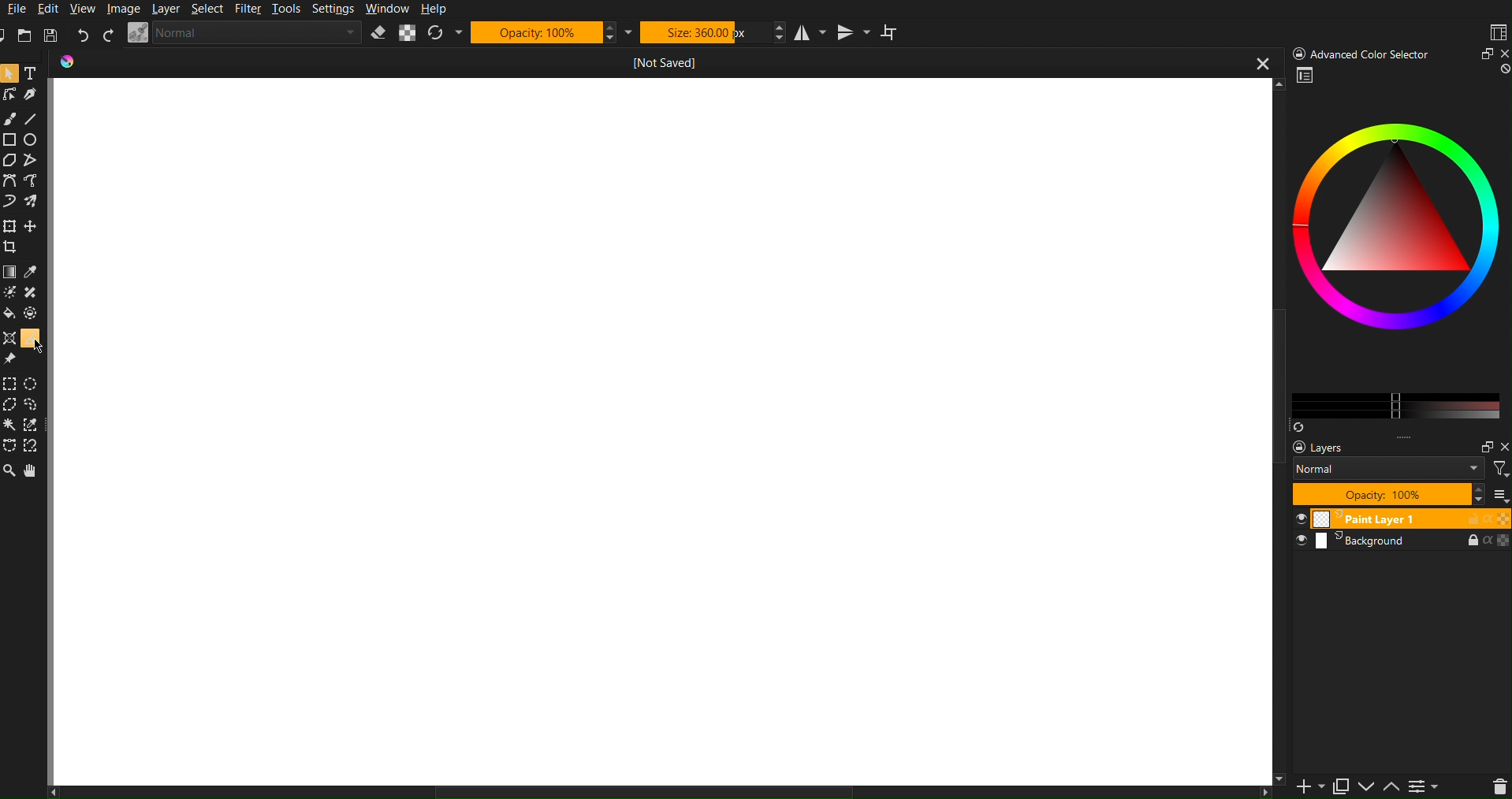 The image size is (1512, 799). Describe the element at coordinates (35, 384) in the screenshot. I see `Ellipse Marquee Tool` at that location.